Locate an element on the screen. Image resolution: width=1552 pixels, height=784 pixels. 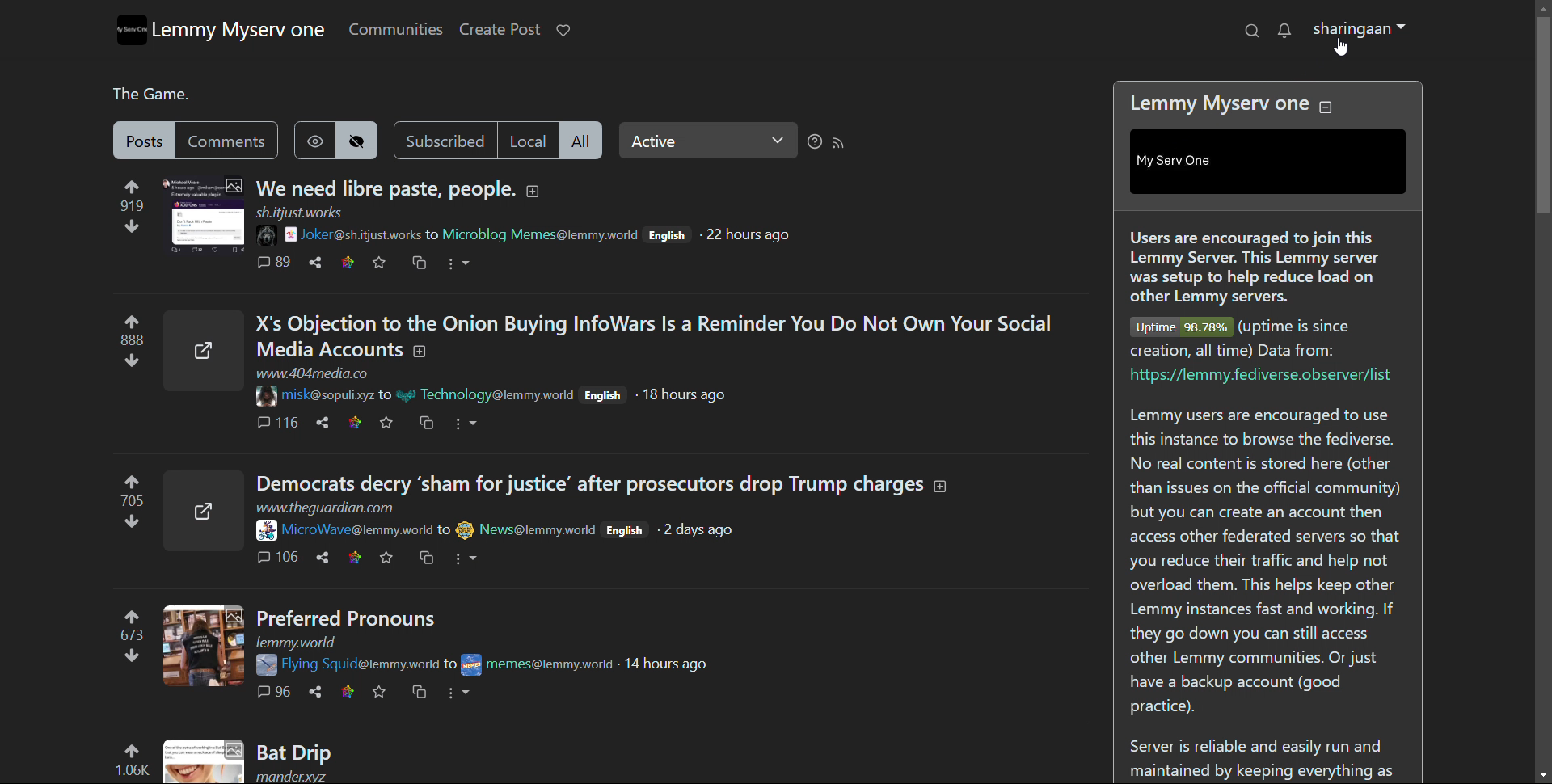
favorites is located at coordinates (386, 690).